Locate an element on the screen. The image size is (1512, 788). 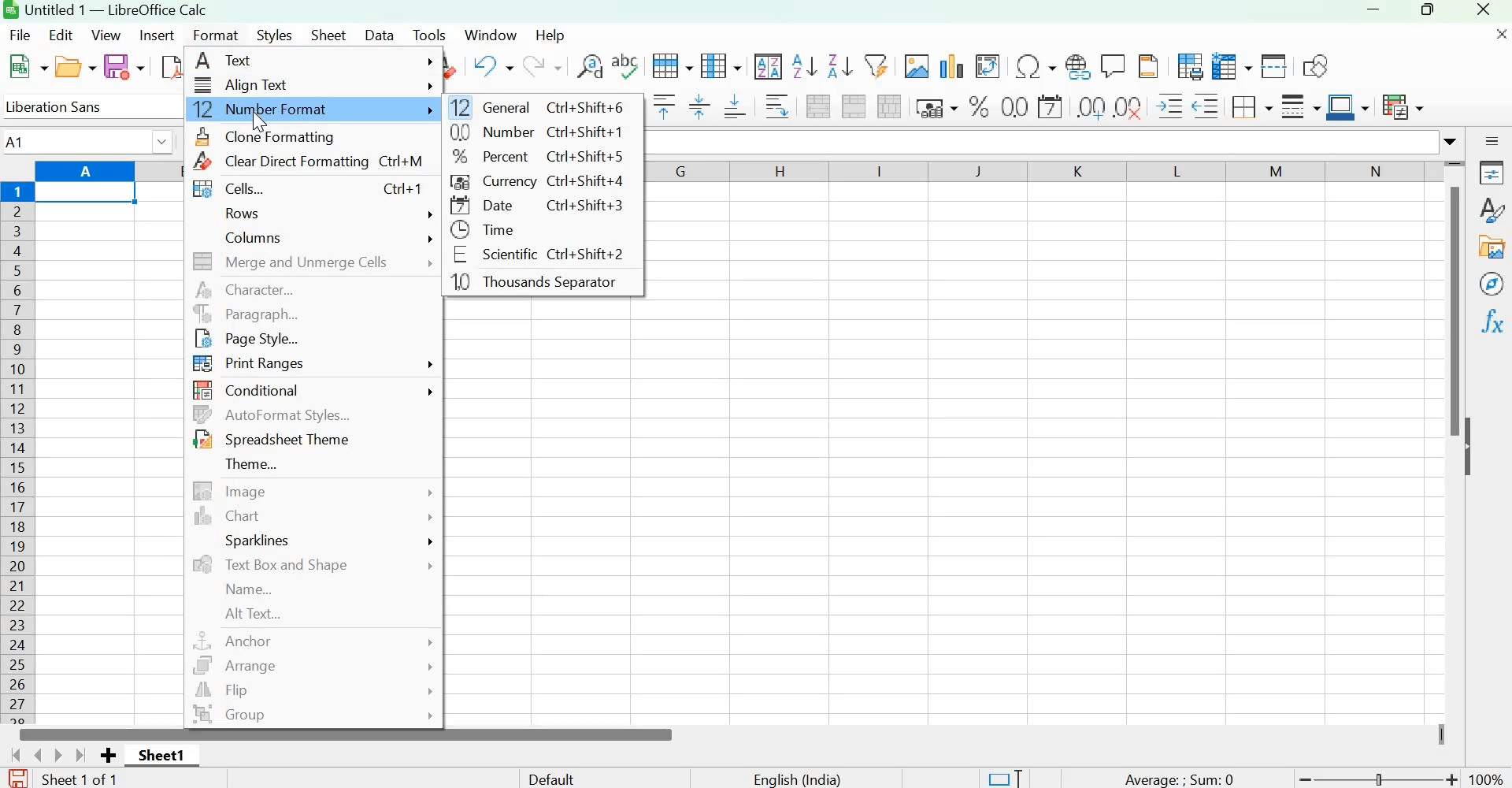
workspace is located at coordinates (546, 512).